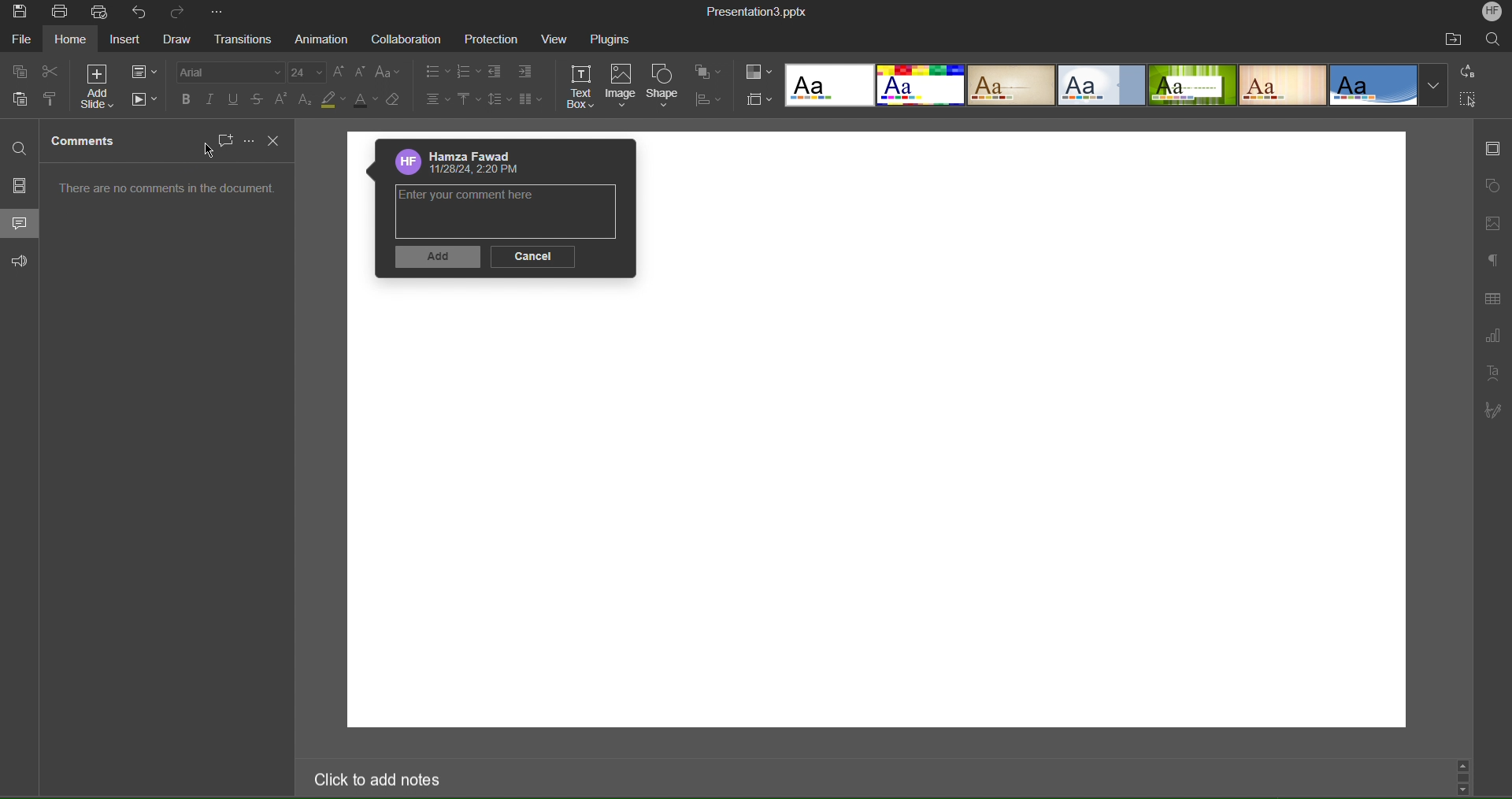 The width and height of the screenshot is (1512, 799). I want to click on Arrange, so click(708, 73).